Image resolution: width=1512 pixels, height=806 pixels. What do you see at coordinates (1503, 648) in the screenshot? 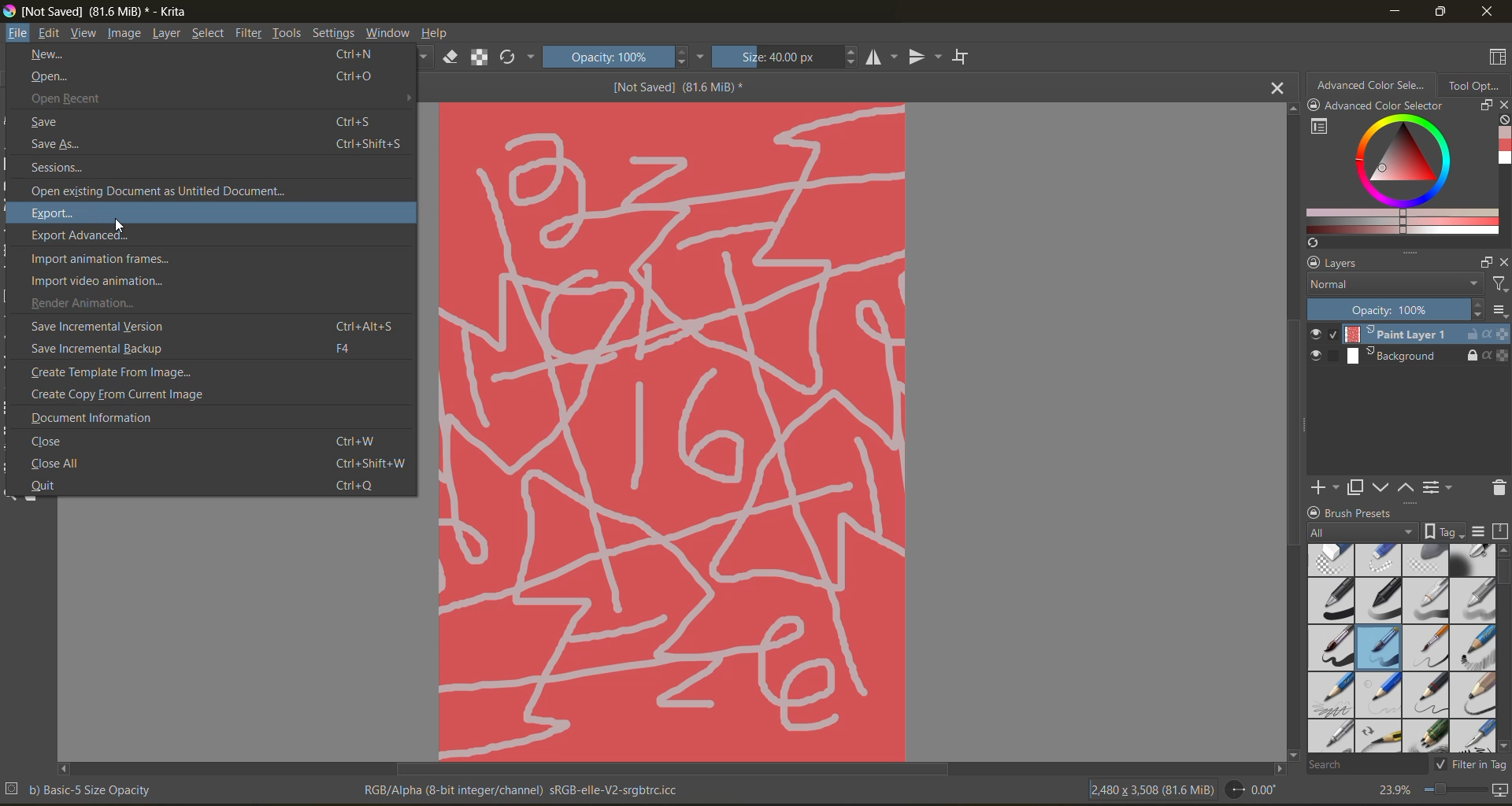
I see `vertical scroll bar` at bounding box center [1503, 648].